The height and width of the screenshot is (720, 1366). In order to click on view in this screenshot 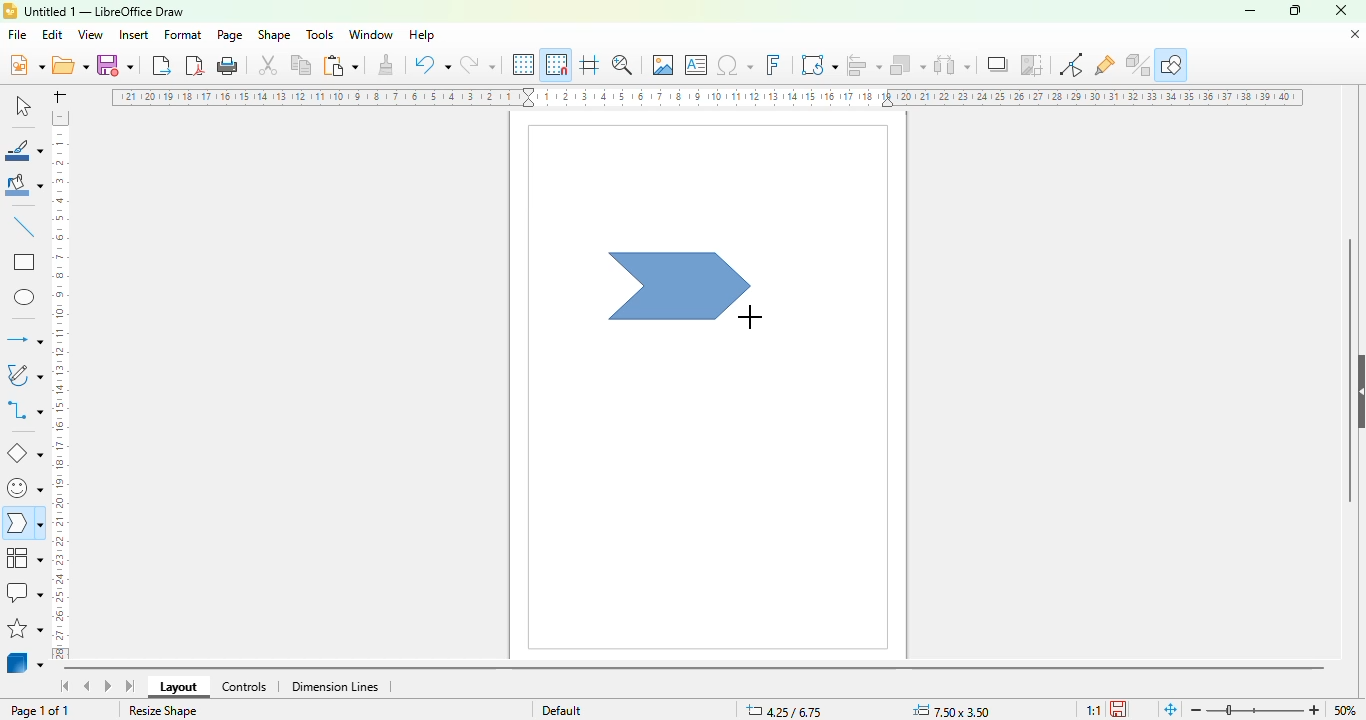, I will do `click(90, 35)`.